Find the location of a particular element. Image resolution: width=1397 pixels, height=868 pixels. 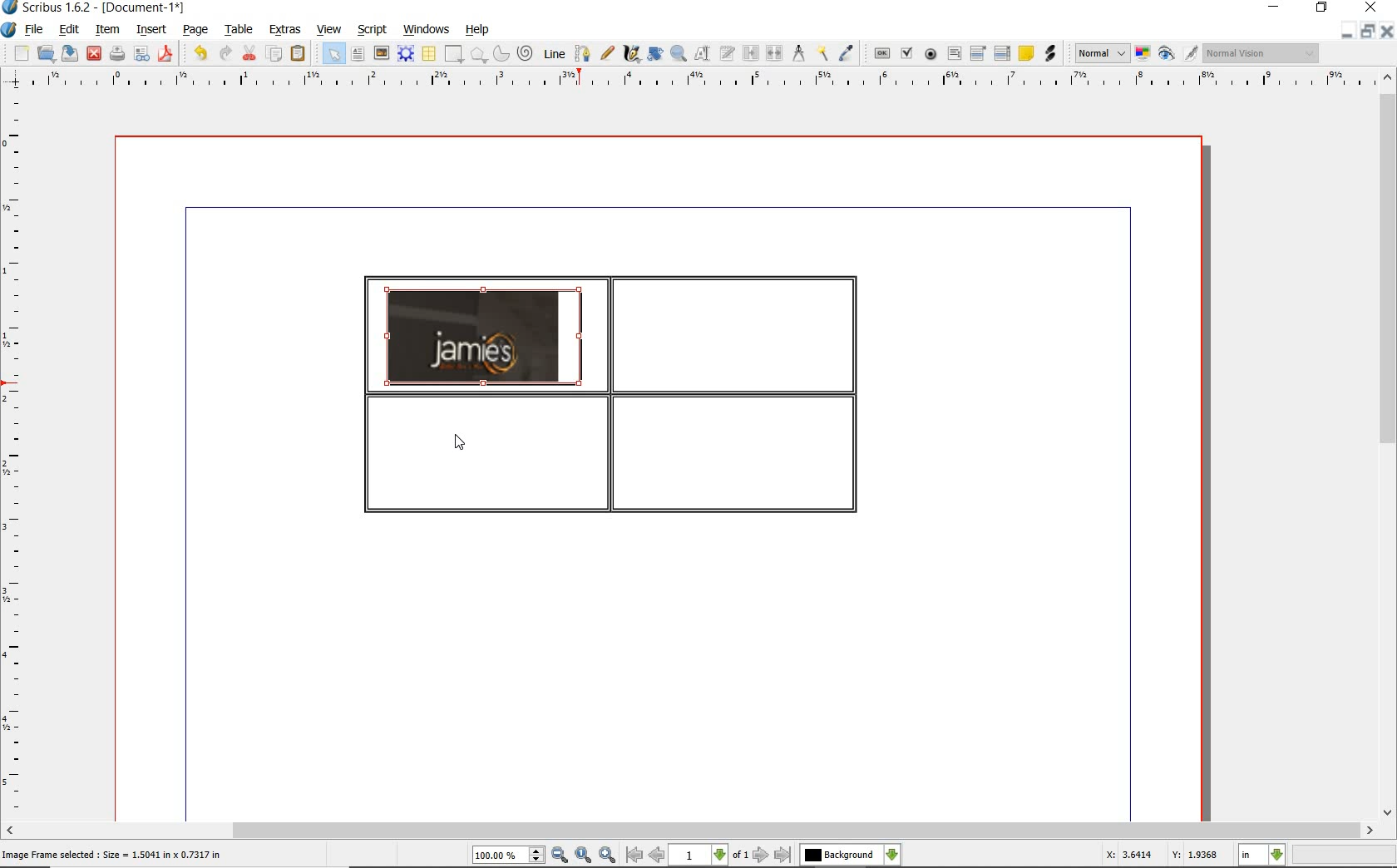

spiral is located at coordinates (526, 54).